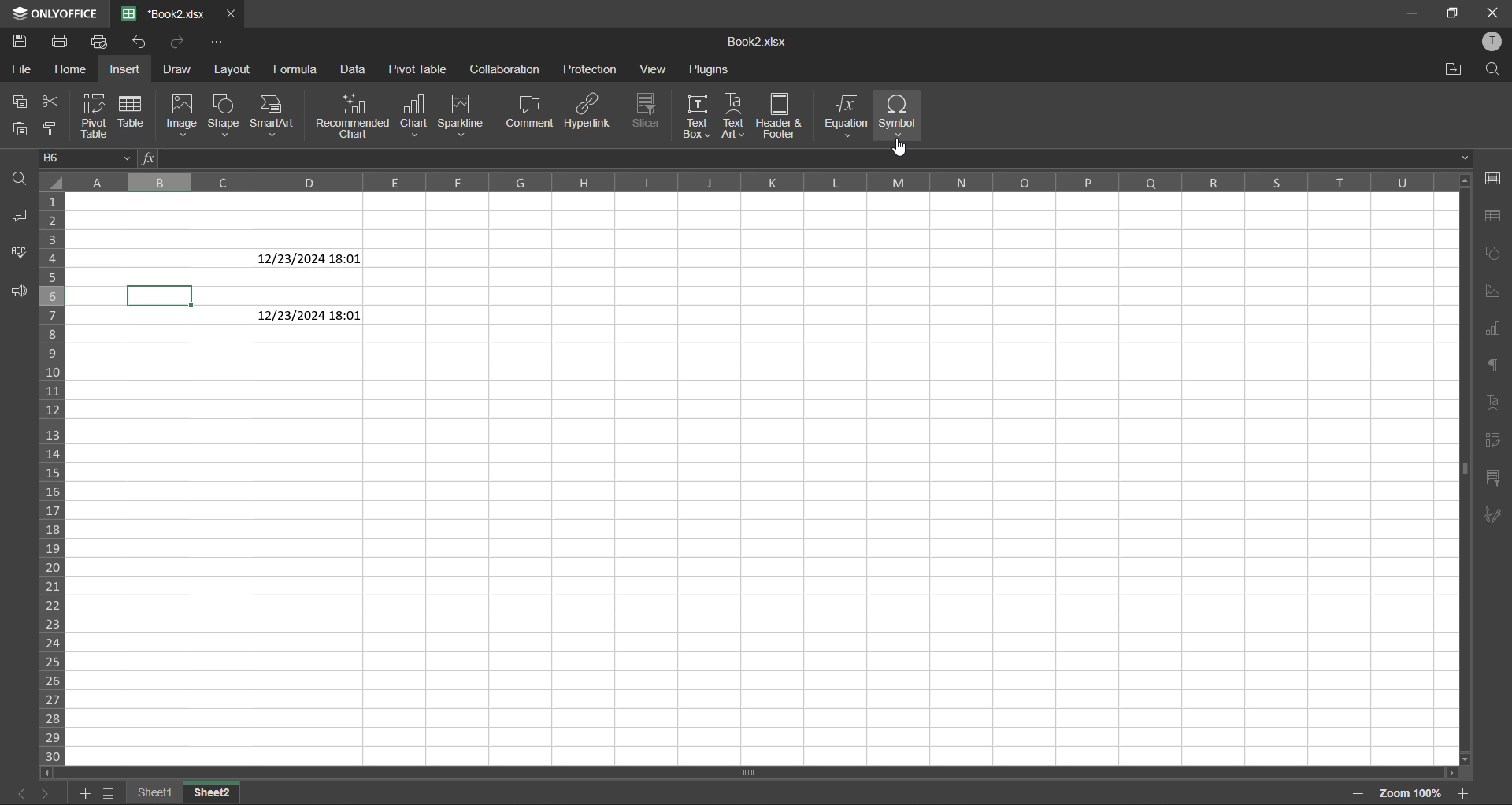  I want to click on chart, so click(416, 116).